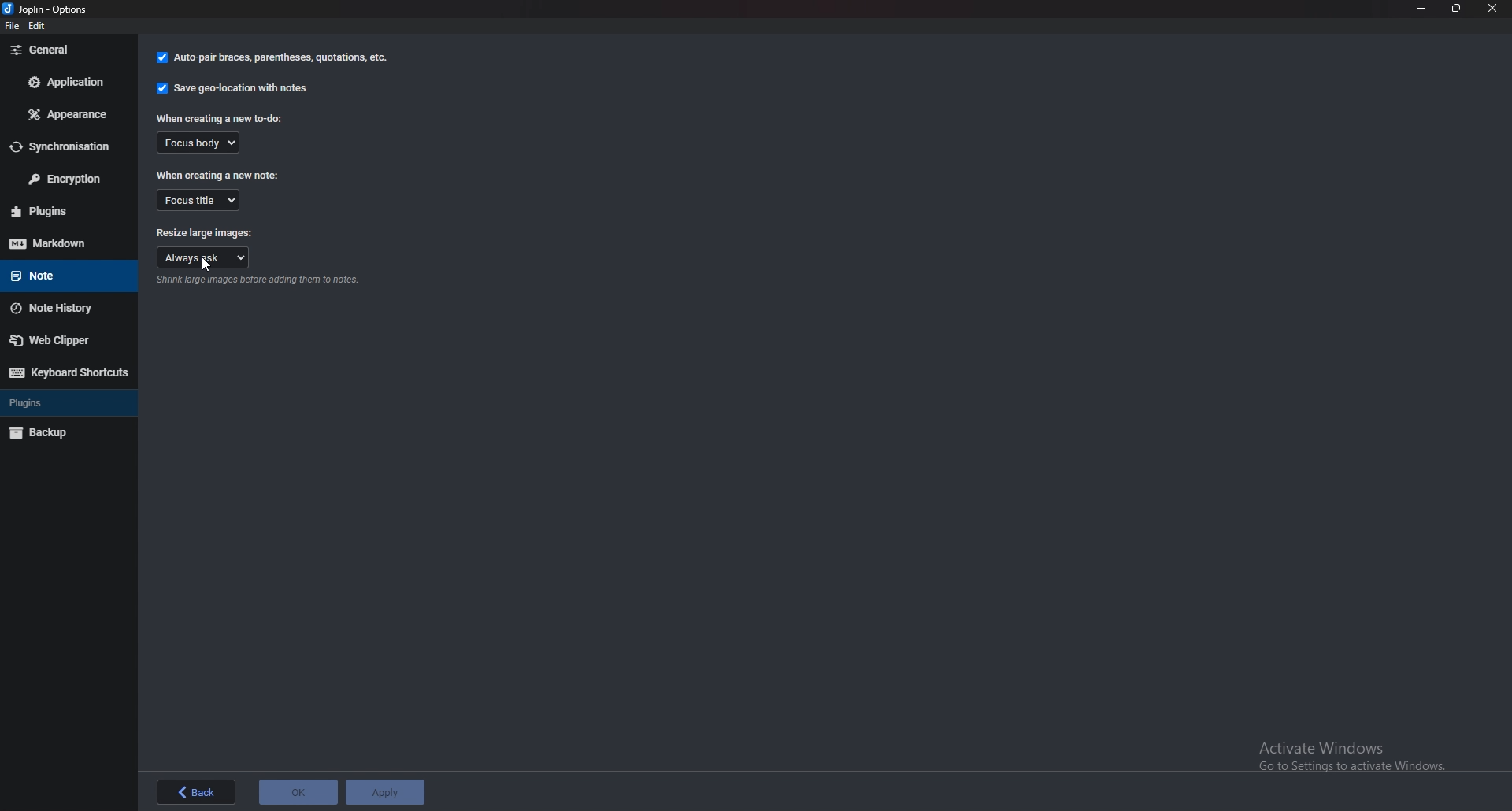 This screenshot has height=811, width=1512. Describe the element at coordinates (62, 309) in the screenshot. I see `Note history` at that location.